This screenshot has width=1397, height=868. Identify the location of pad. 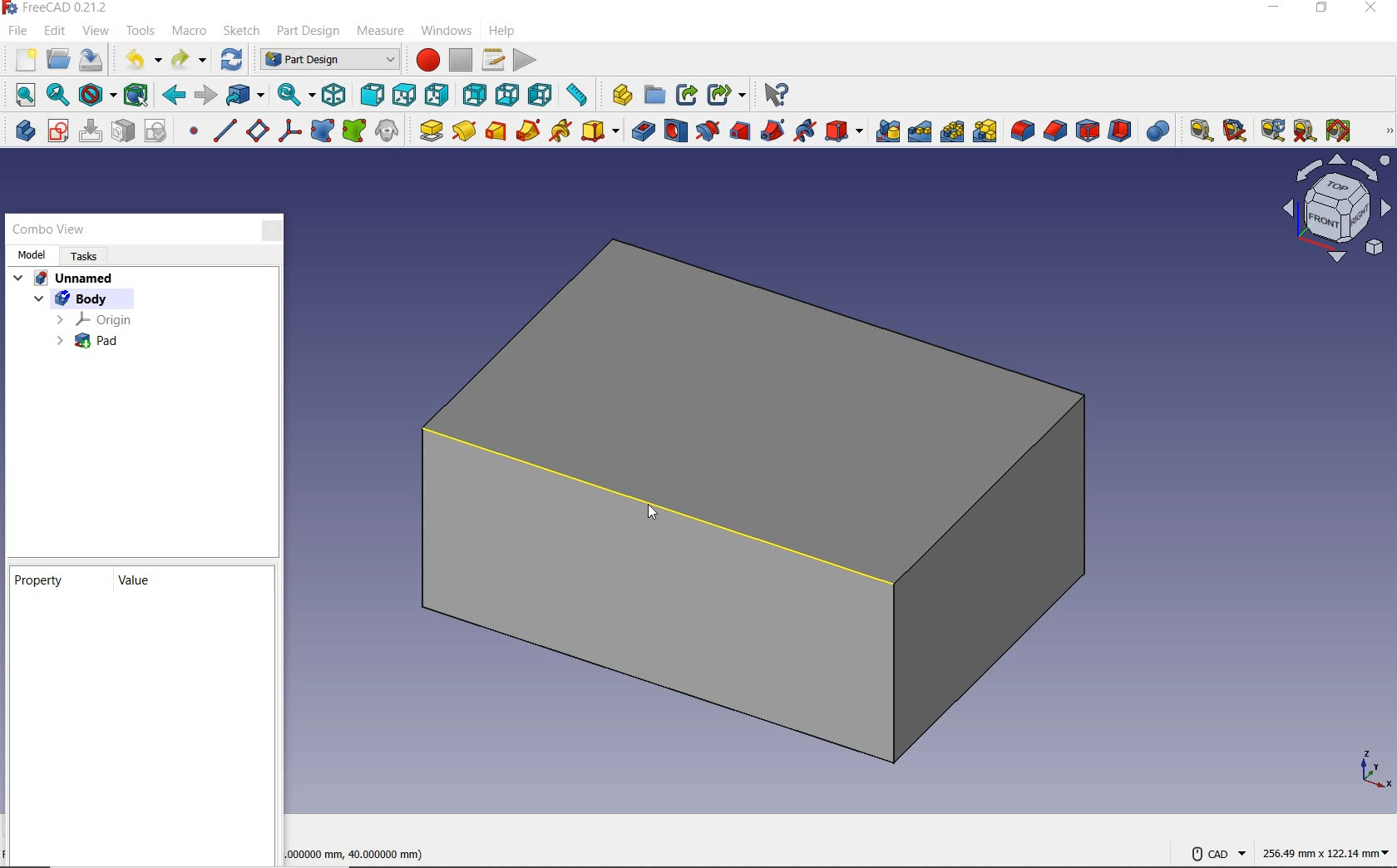
(430, 132).